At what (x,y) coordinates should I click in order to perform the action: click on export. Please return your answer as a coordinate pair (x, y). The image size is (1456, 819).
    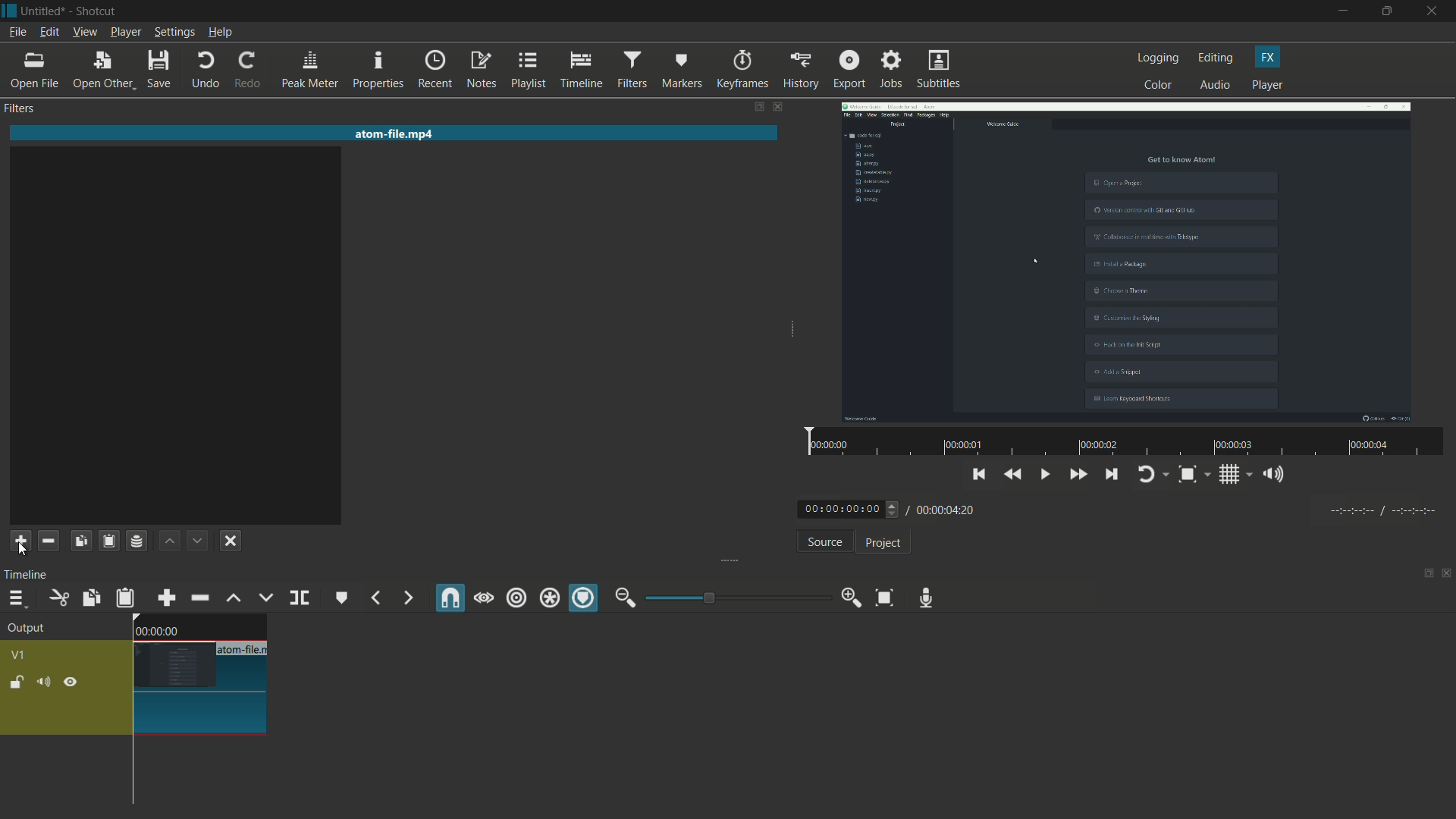
    Looking at the image, I should click on (848, 69).